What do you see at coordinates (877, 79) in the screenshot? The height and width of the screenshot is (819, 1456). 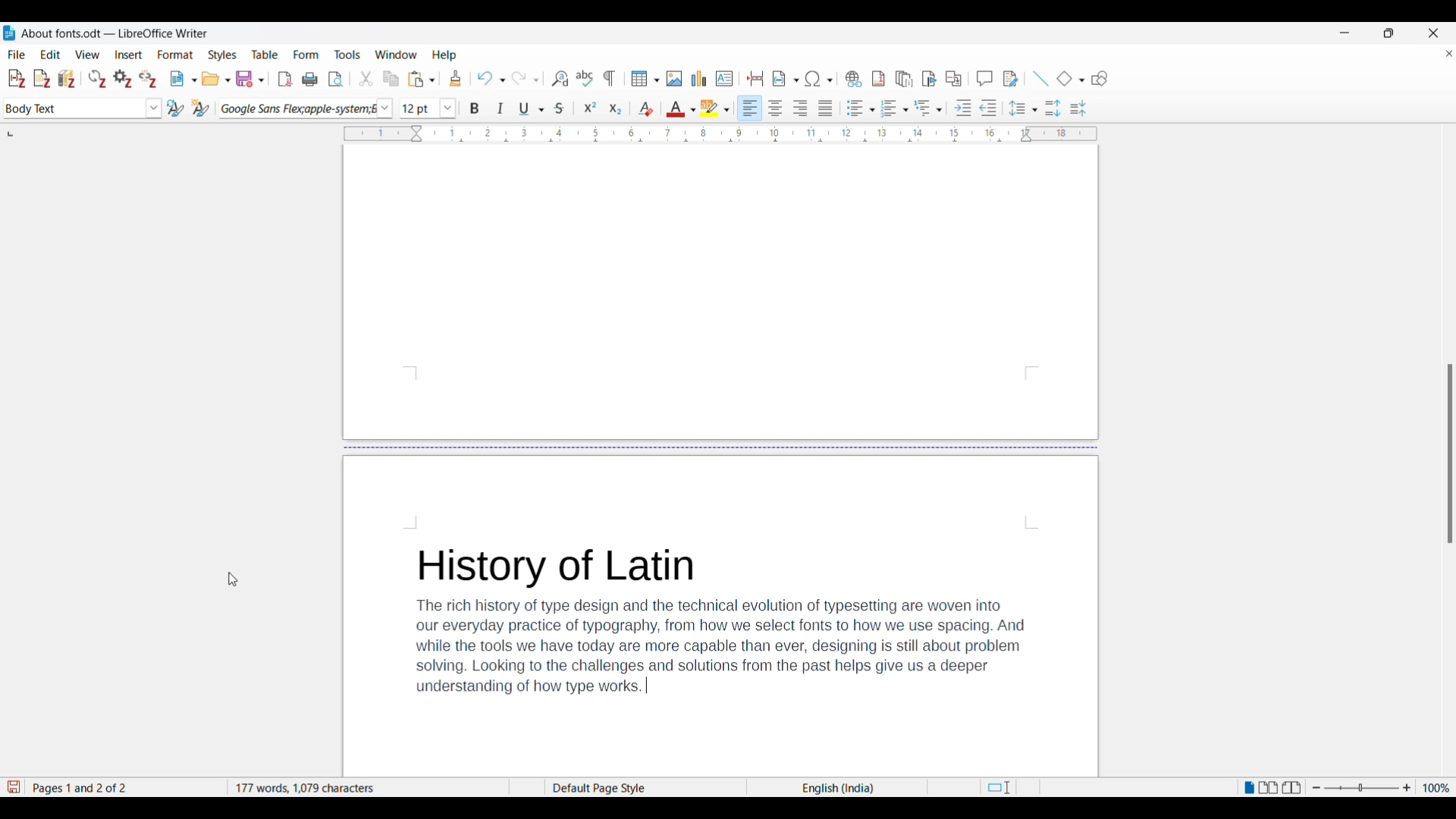 I see `Insert footnote` at bounding box center [877, 79].